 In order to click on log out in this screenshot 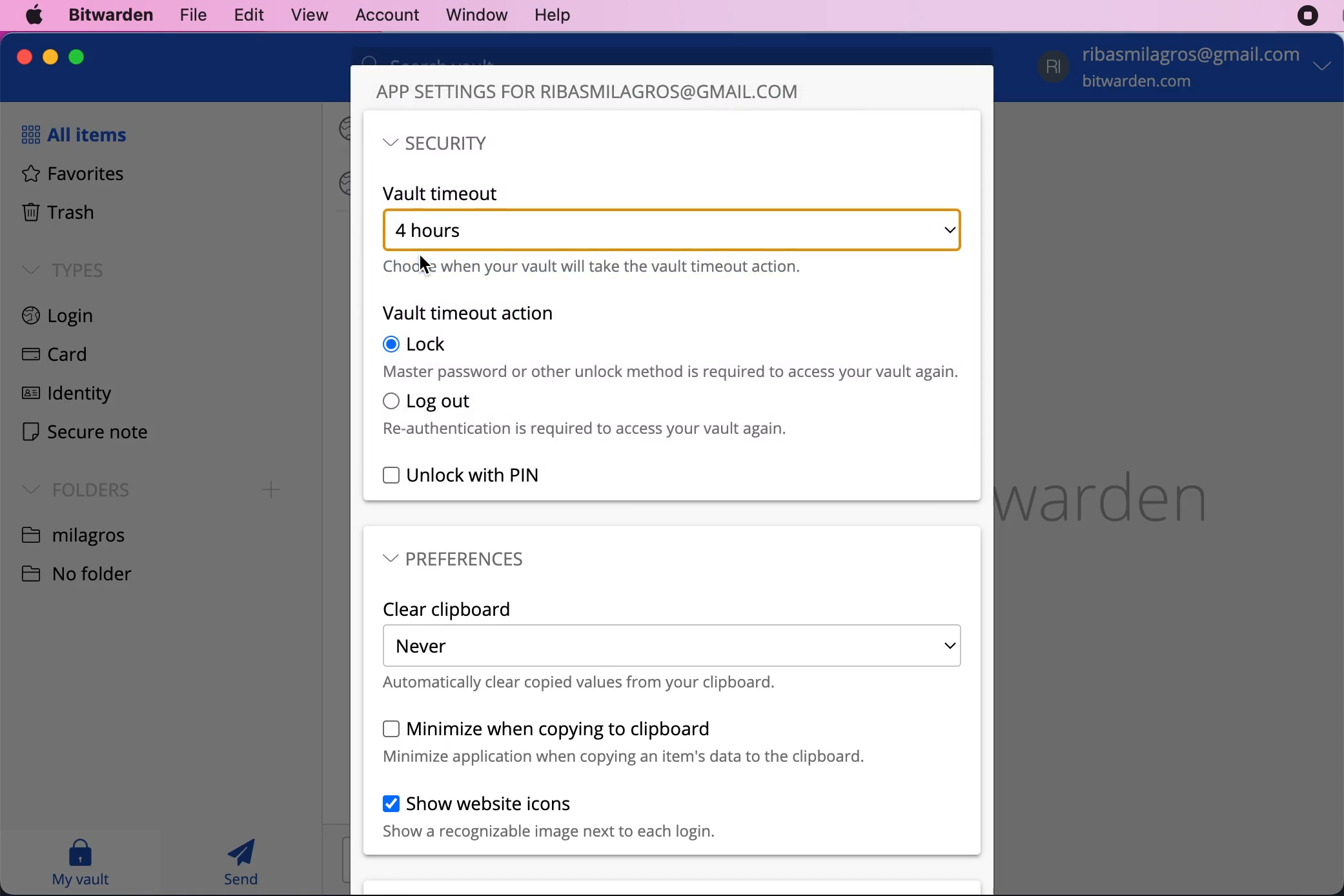, I will do `click(585, 414)`.